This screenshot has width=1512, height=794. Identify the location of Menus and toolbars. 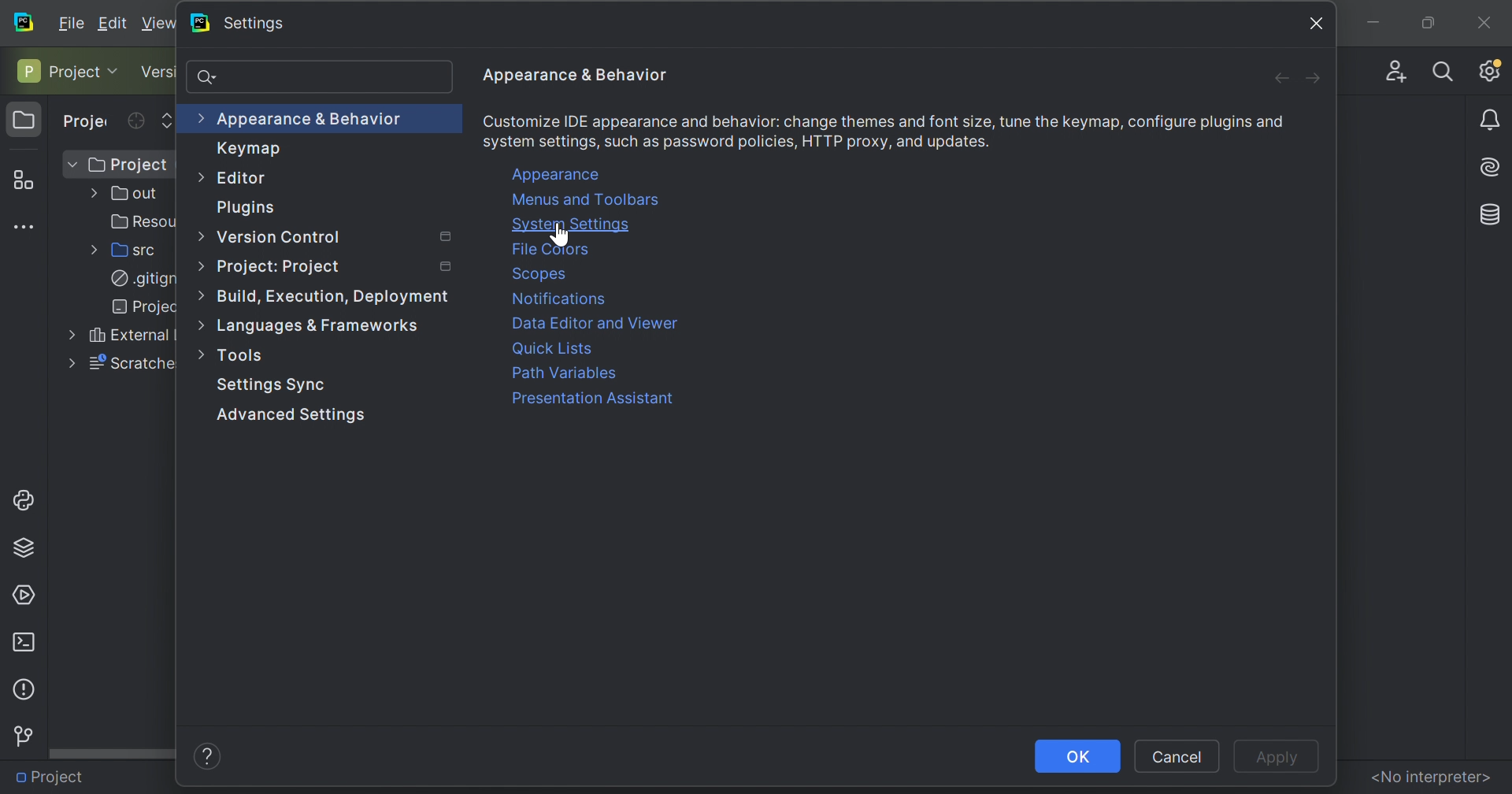
(589, 201).